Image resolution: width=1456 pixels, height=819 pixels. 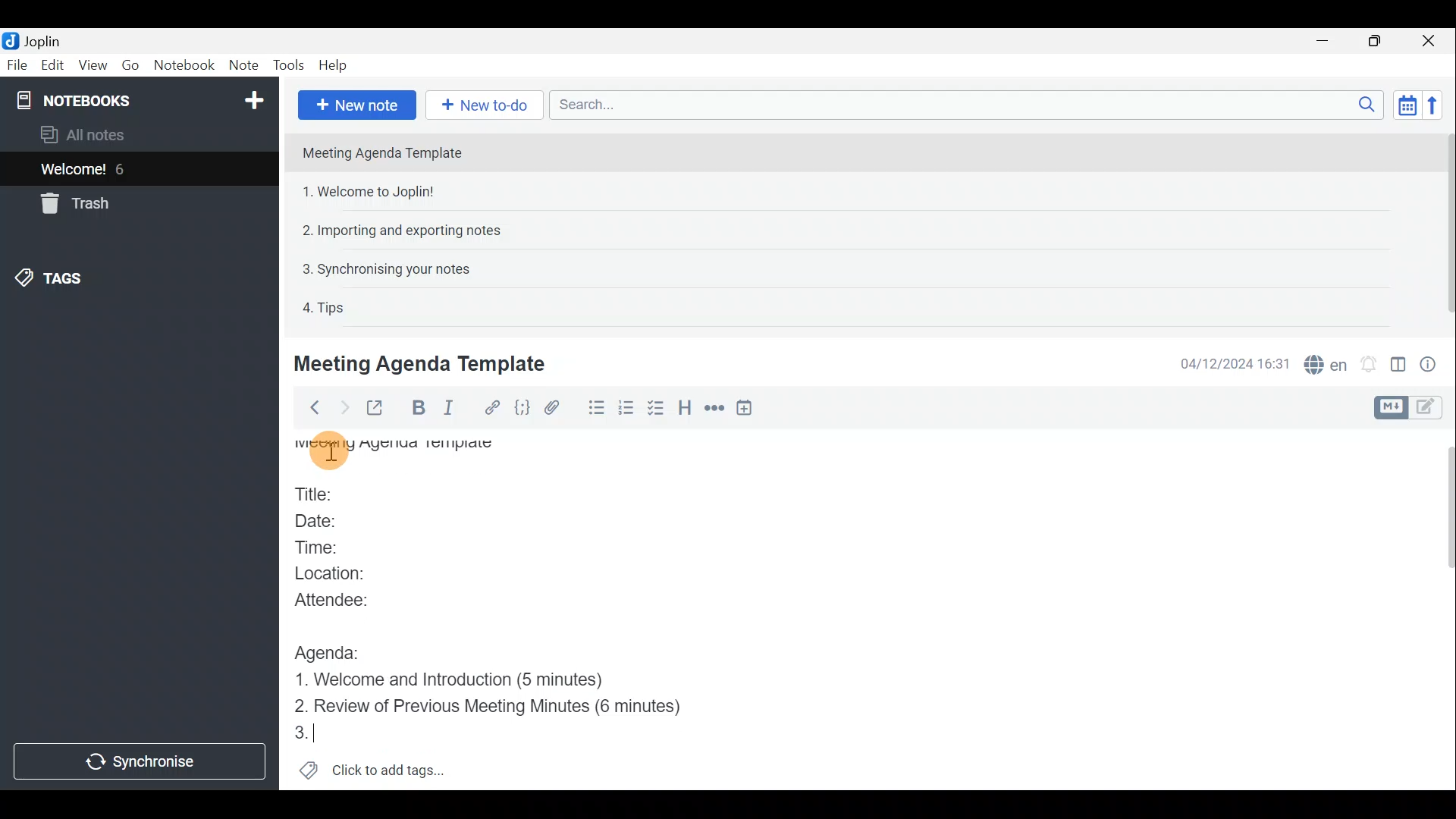 What do you see at coordinates (416, 408) in the screenshot?
I see `Bold` at bounding box center [416, 408].